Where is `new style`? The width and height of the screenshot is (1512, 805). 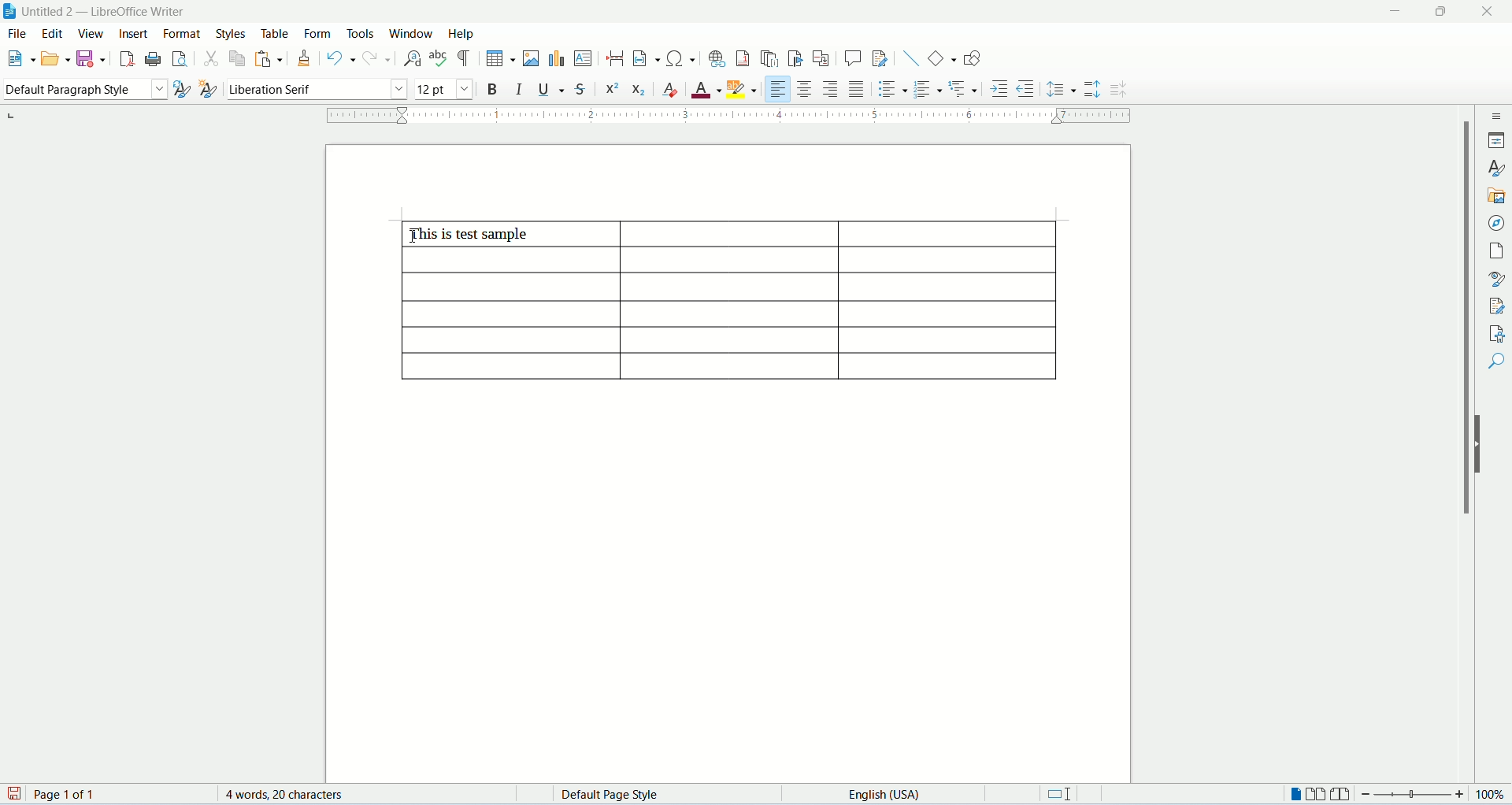 new style is located at coordinates (209, 89).